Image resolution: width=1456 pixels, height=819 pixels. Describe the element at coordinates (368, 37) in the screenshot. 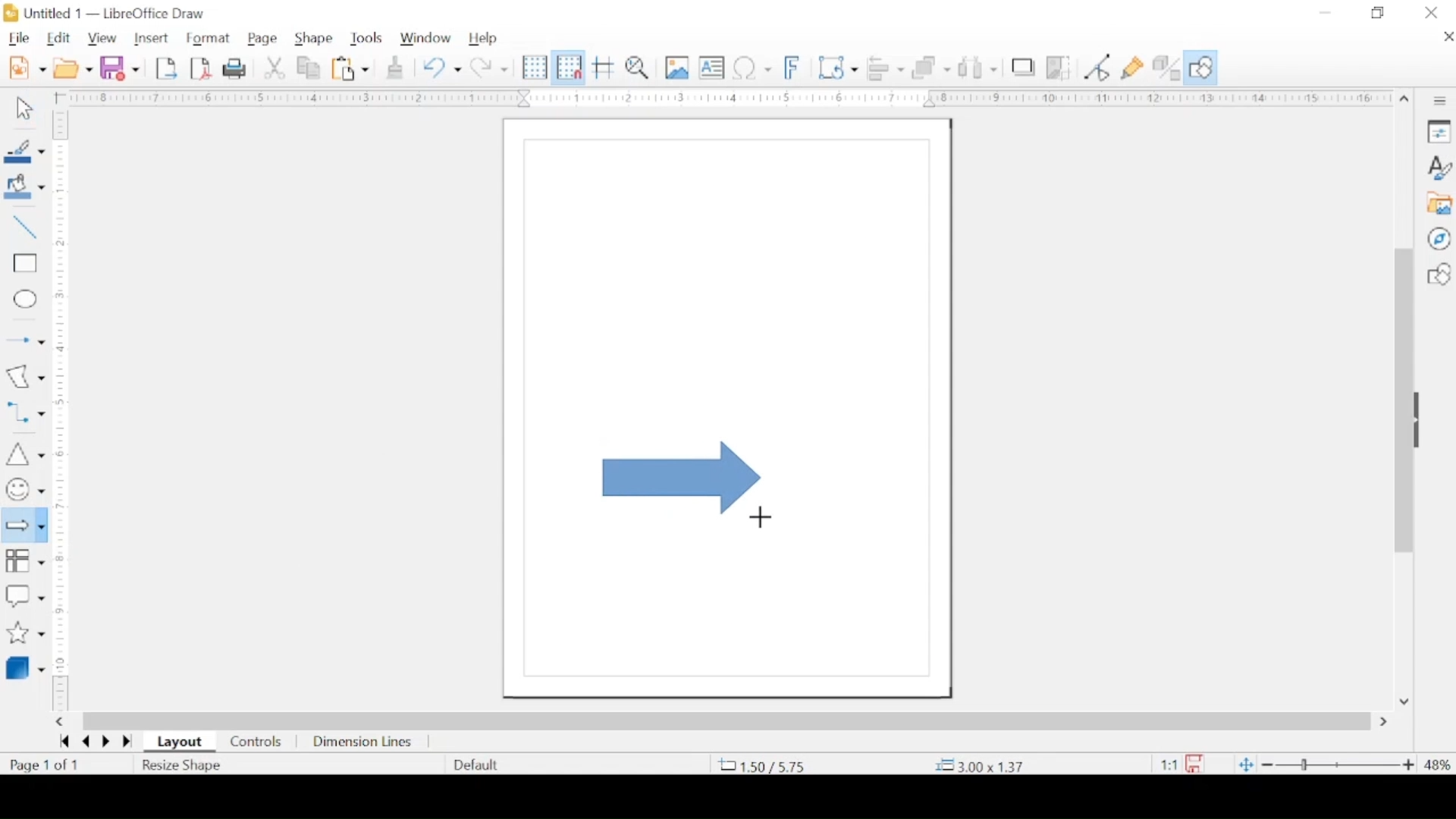

I see `tools` at that location.